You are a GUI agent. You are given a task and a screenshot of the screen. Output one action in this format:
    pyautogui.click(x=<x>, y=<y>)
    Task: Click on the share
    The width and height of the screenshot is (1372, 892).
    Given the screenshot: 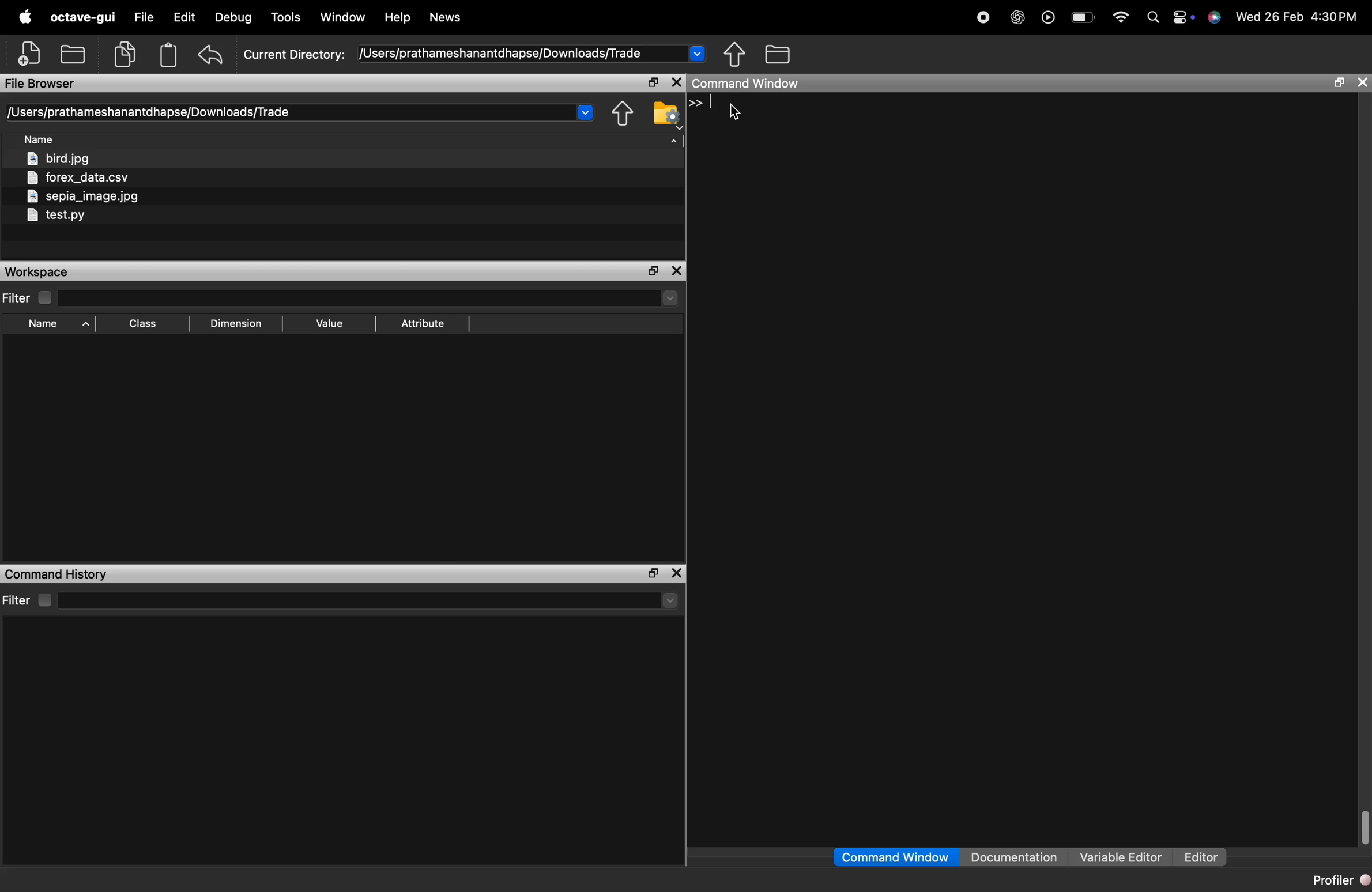 What is the action you would take?
    pyautogui.click(x=735, y=53)
    